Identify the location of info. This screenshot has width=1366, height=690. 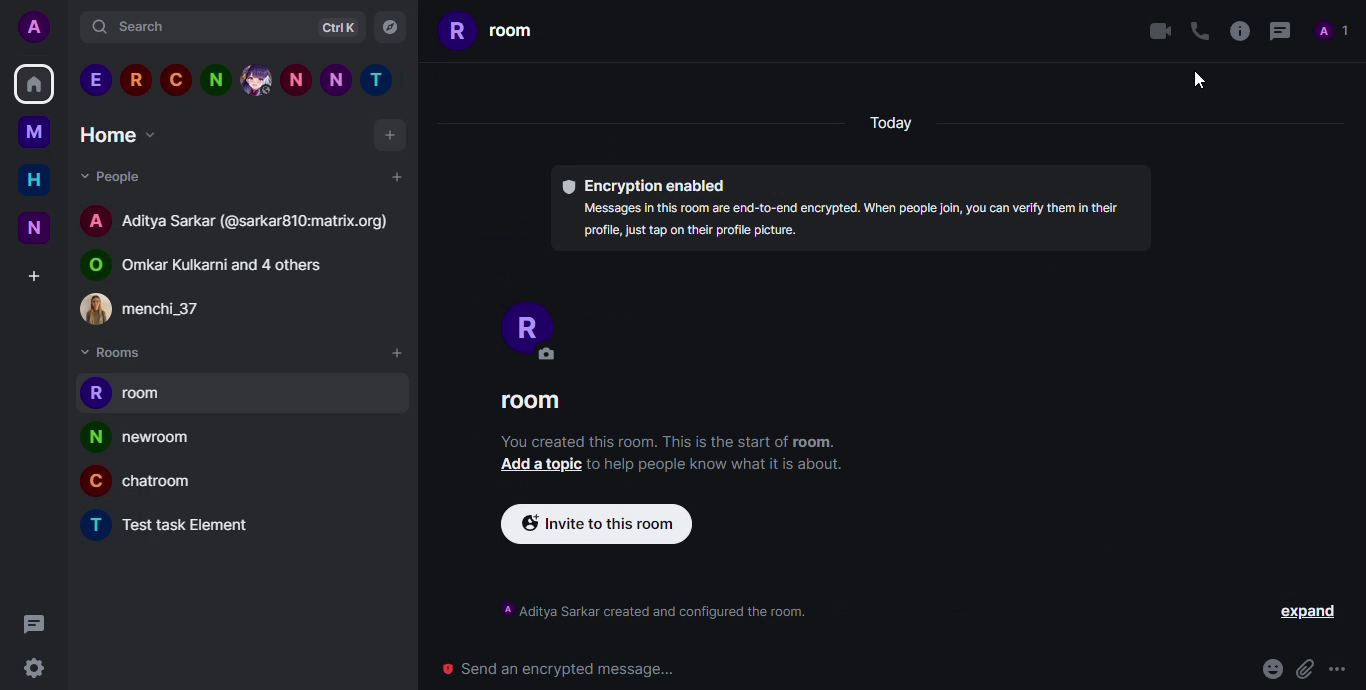
(855, 222).